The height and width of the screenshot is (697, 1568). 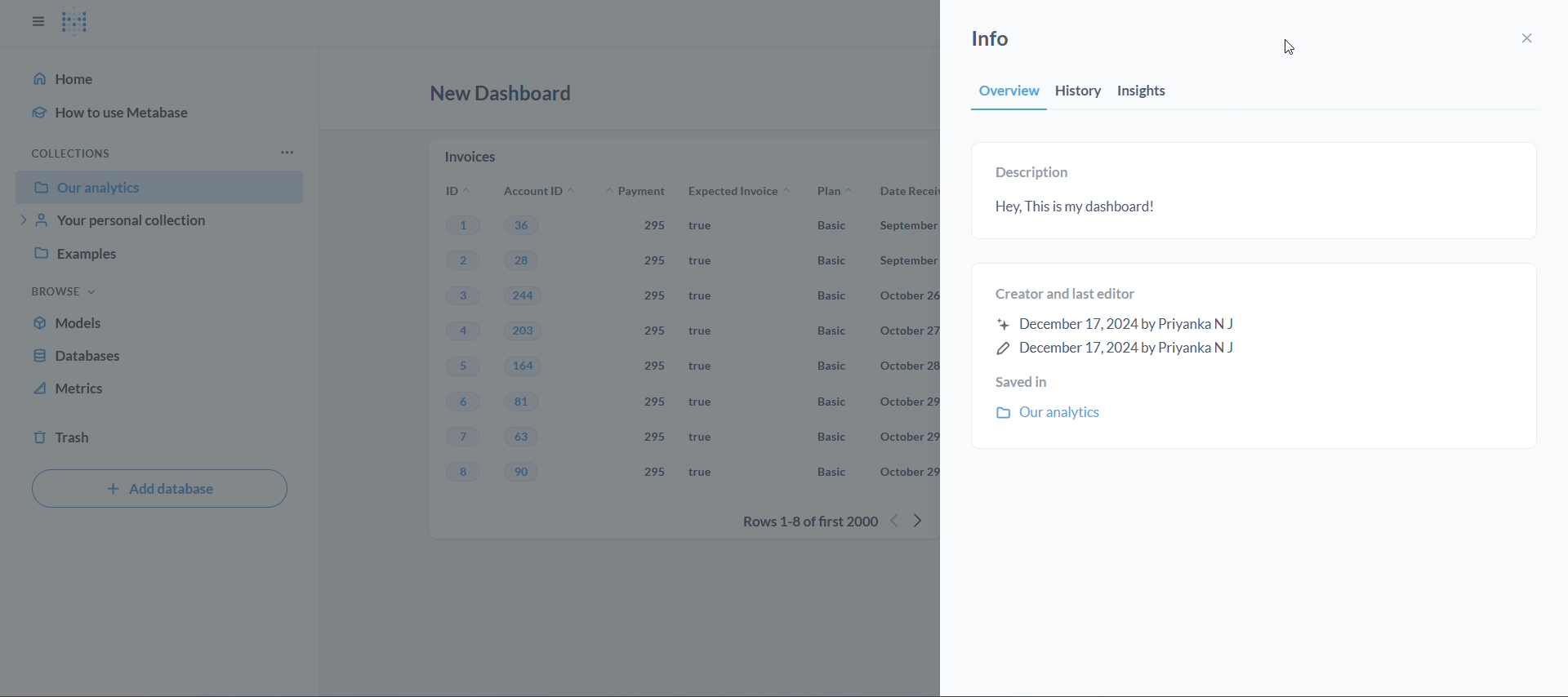 I want to click on new dashboard, so click(x=506, y=98).